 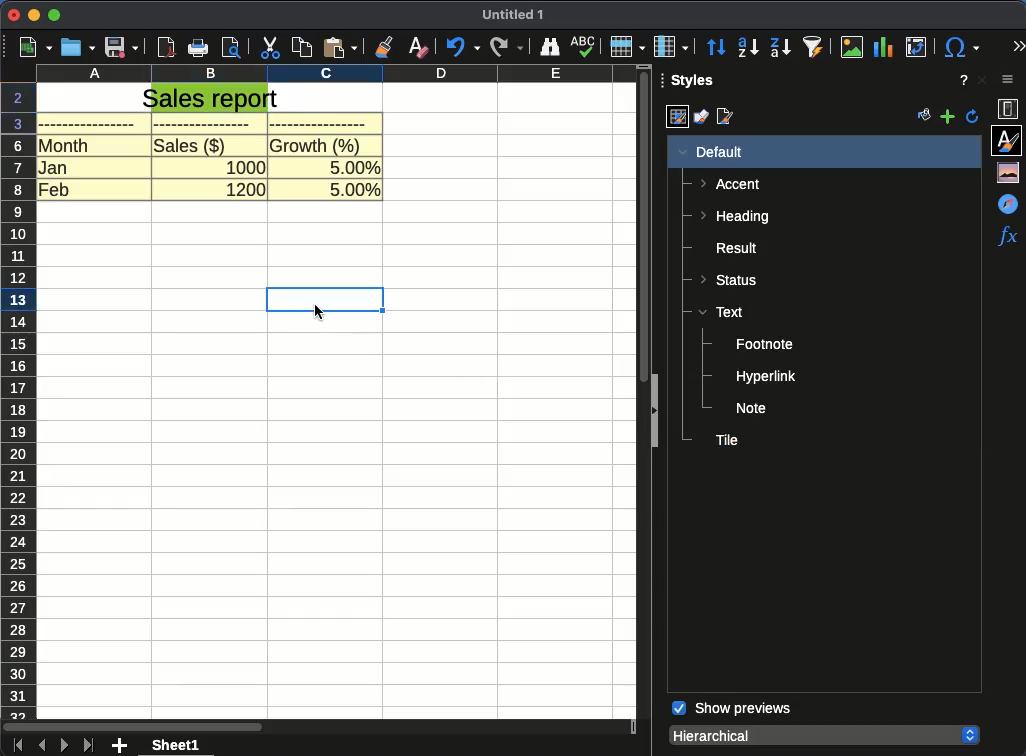 I want to click on expand, so click(x=1018, y=47).